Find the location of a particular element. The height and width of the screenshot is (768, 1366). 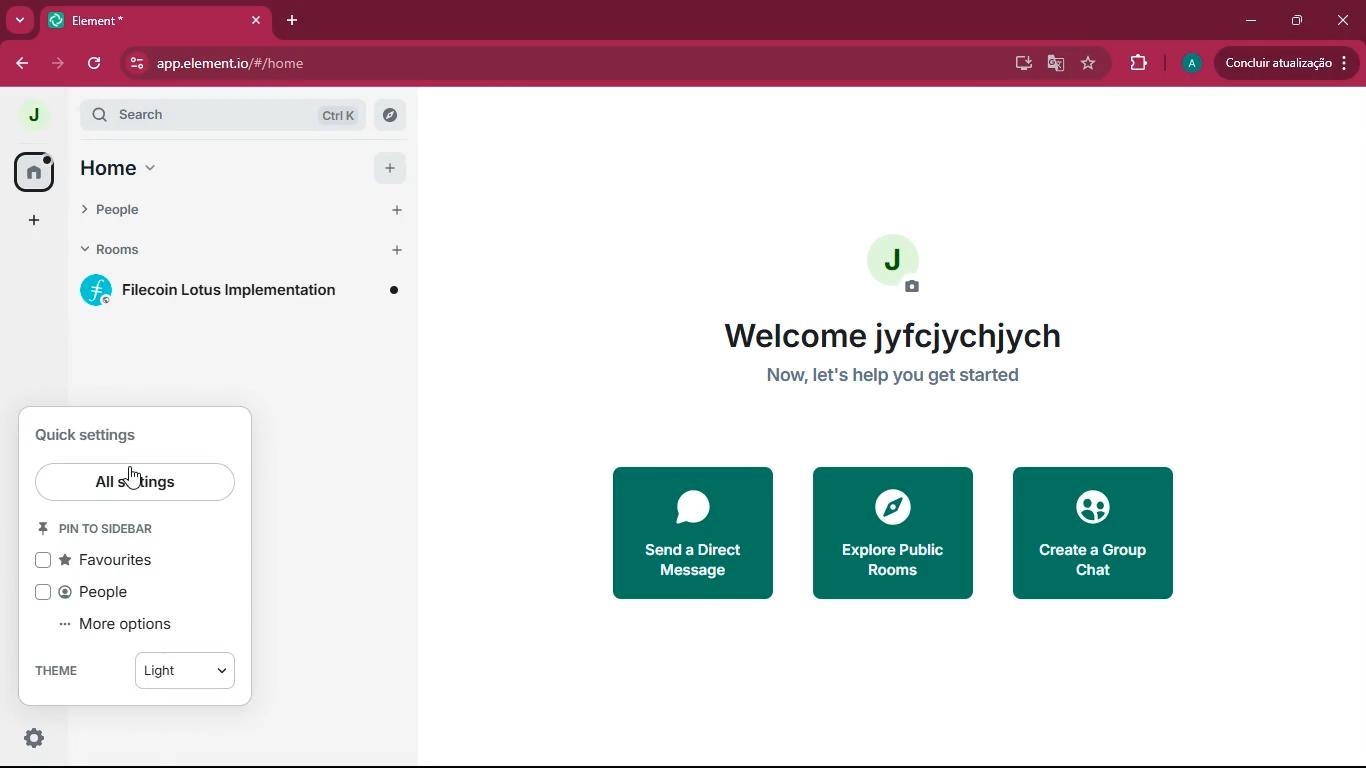

minimize is located at coordinates (1247, 21).